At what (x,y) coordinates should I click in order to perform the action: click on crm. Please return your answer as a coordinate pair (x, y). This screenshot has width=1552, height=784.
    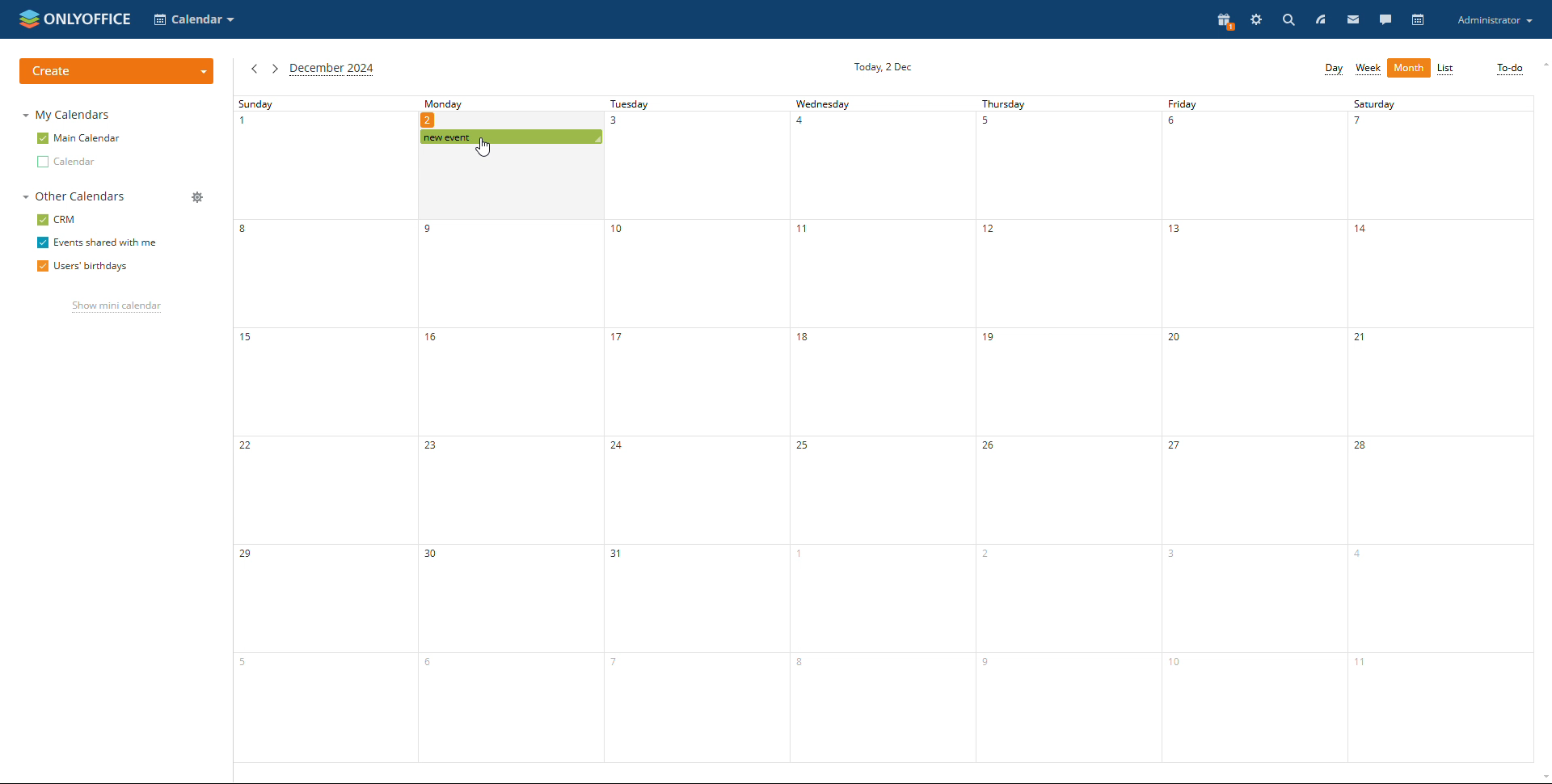
    Looking at the image, I should click on (54, 219).